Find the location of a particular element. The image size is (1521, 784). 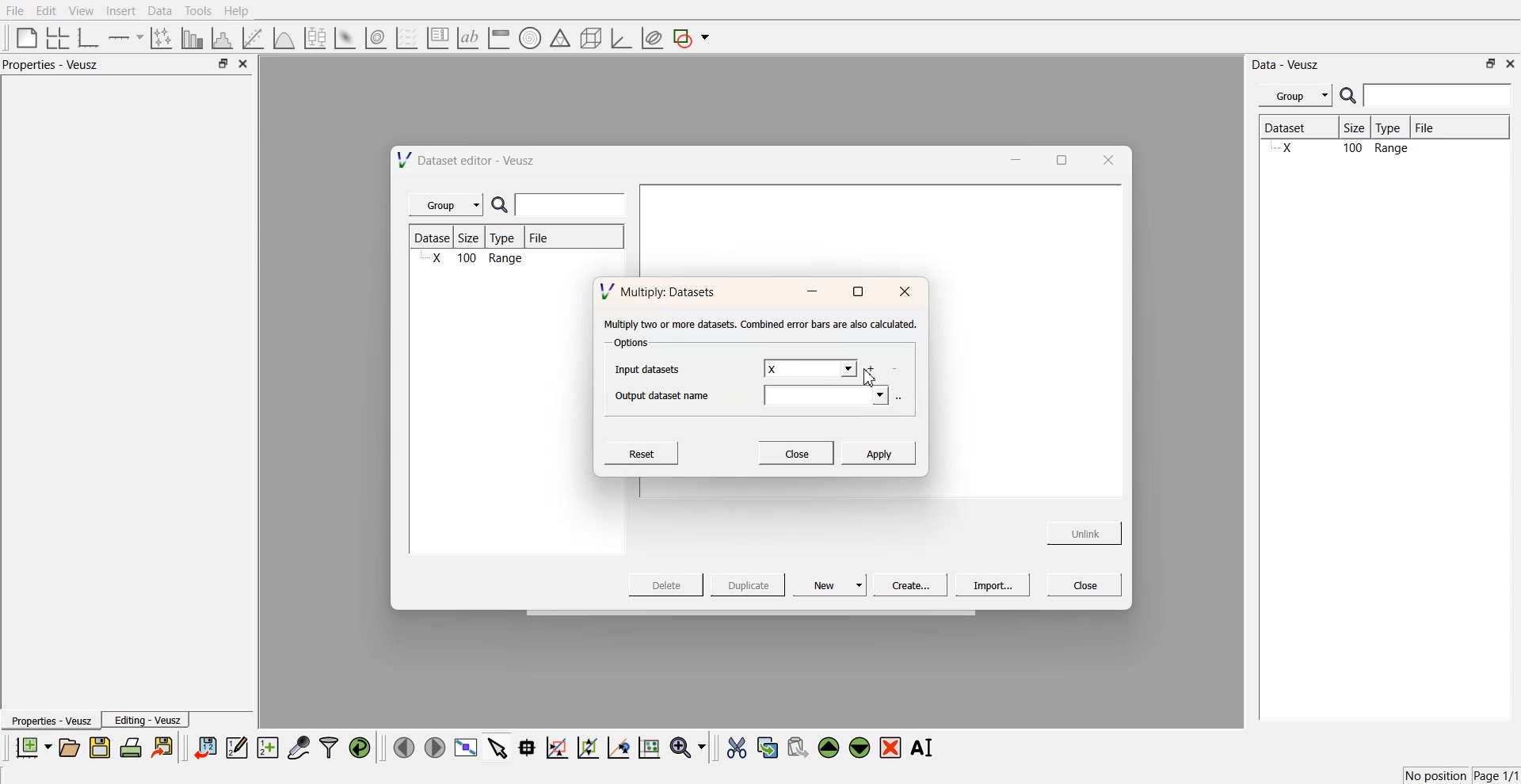

reset the graph axes is located at coordinates (649, 748).